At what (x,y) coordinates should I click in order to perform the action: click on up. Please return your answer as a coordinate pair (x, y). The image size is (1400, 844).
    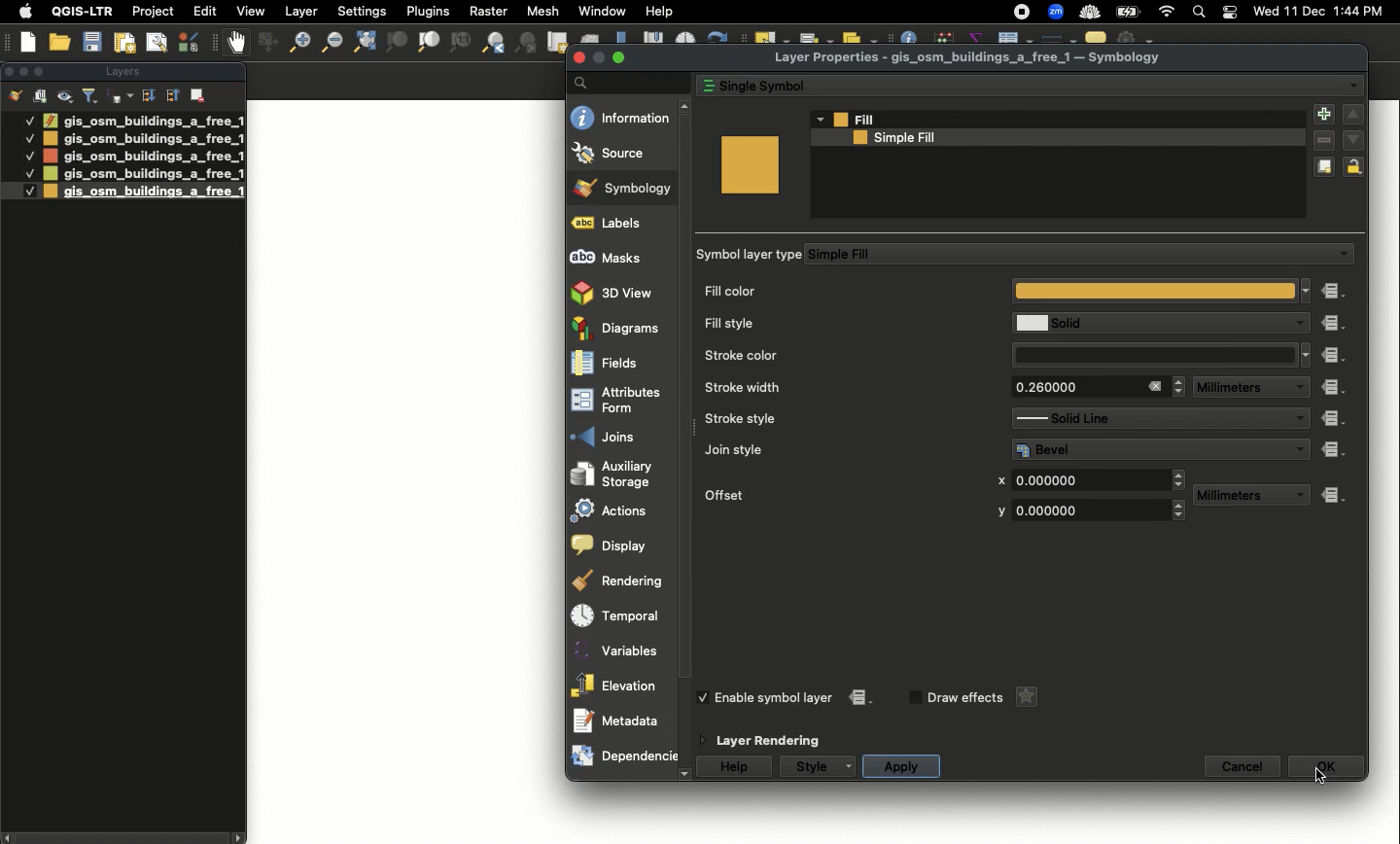
    Looking at the image, I should click on (687, 107).